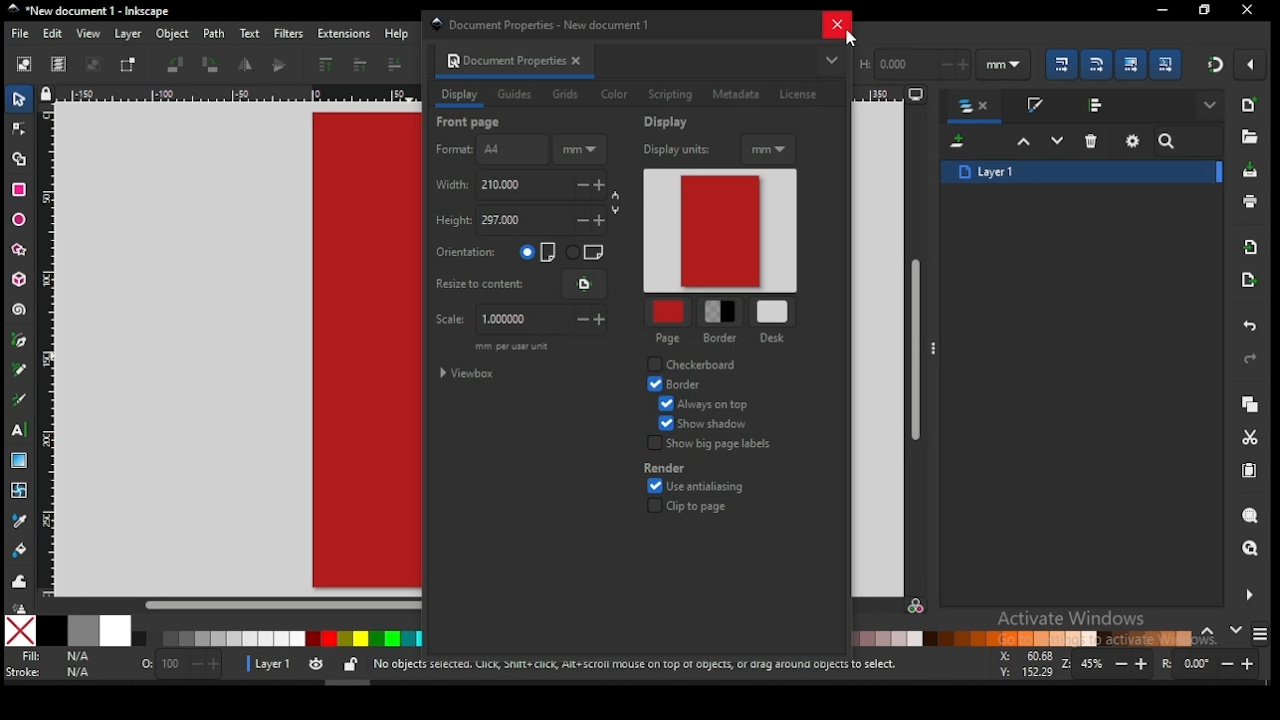 Image resolution: width=1280 pixels, height=720 pixels. I want to click on vertical ruler, so click(52, 348).